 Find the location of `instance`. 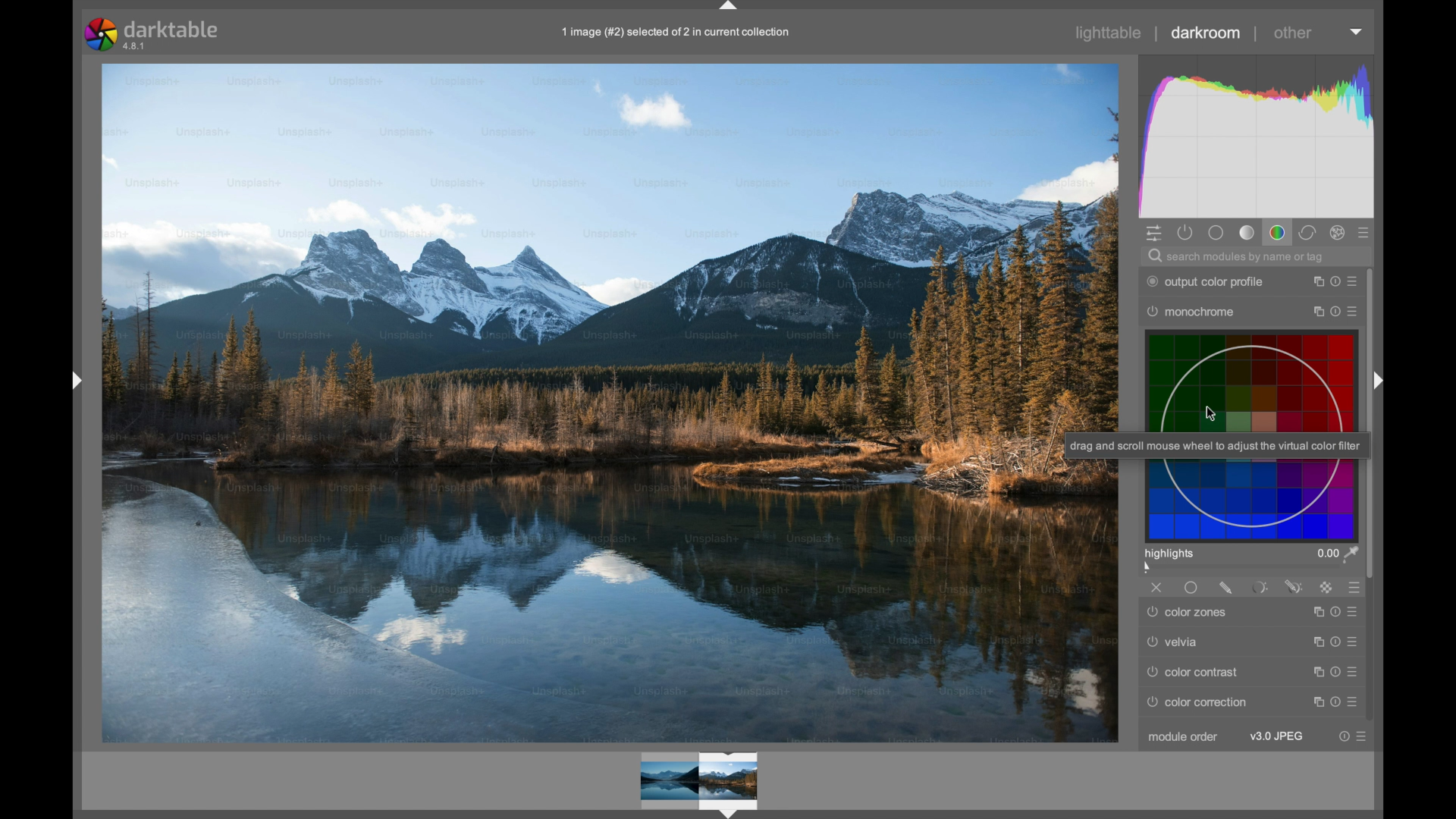

instance is located at coordinates (1315, 642).